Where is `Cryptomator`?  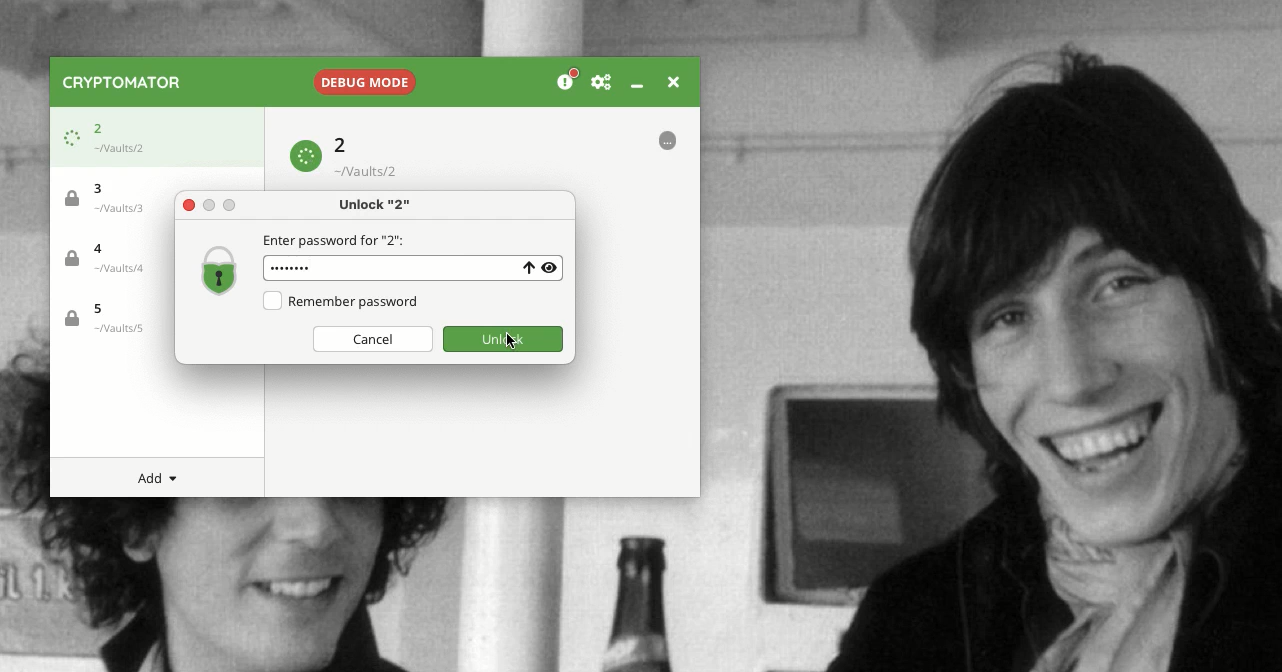 Cryptomator is located at coordinates (123, 82).